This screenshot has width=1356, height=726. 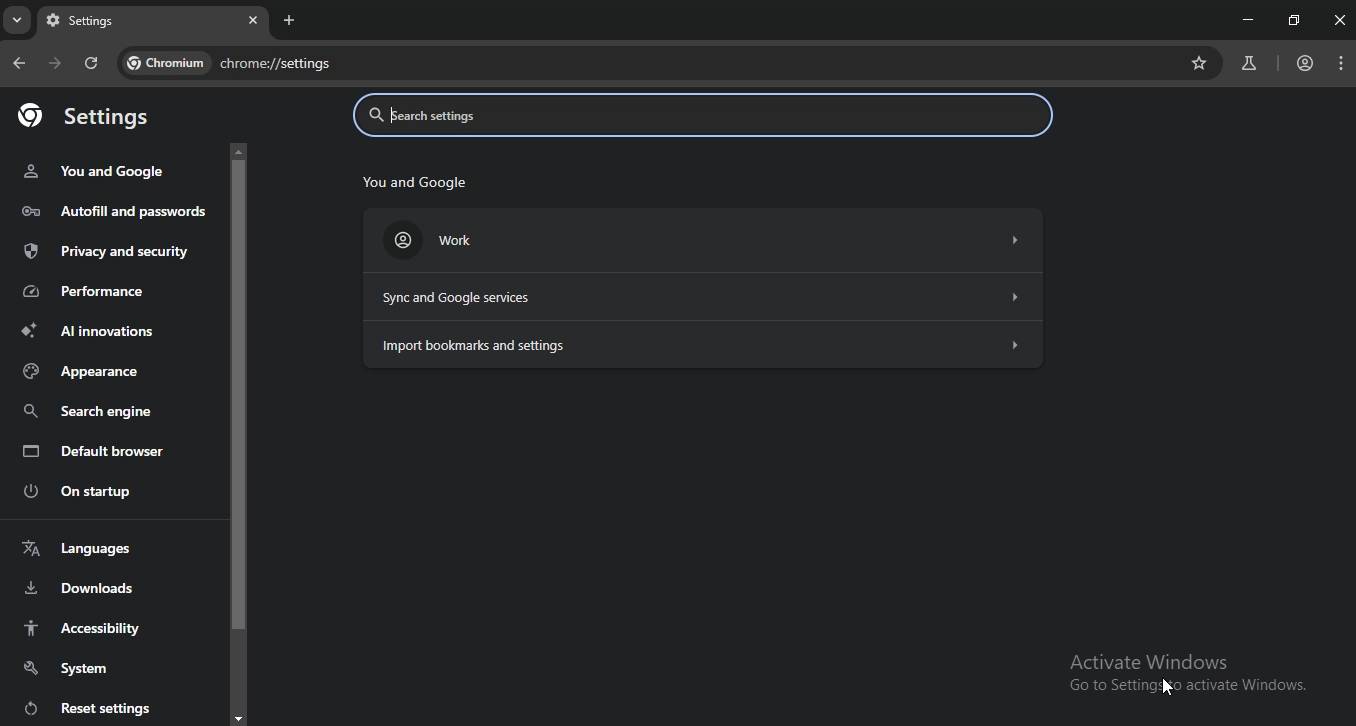 What do you see at coordinates (91, 412) in the screenshot?
I see `Search engine` at bounding box center [91, 412].